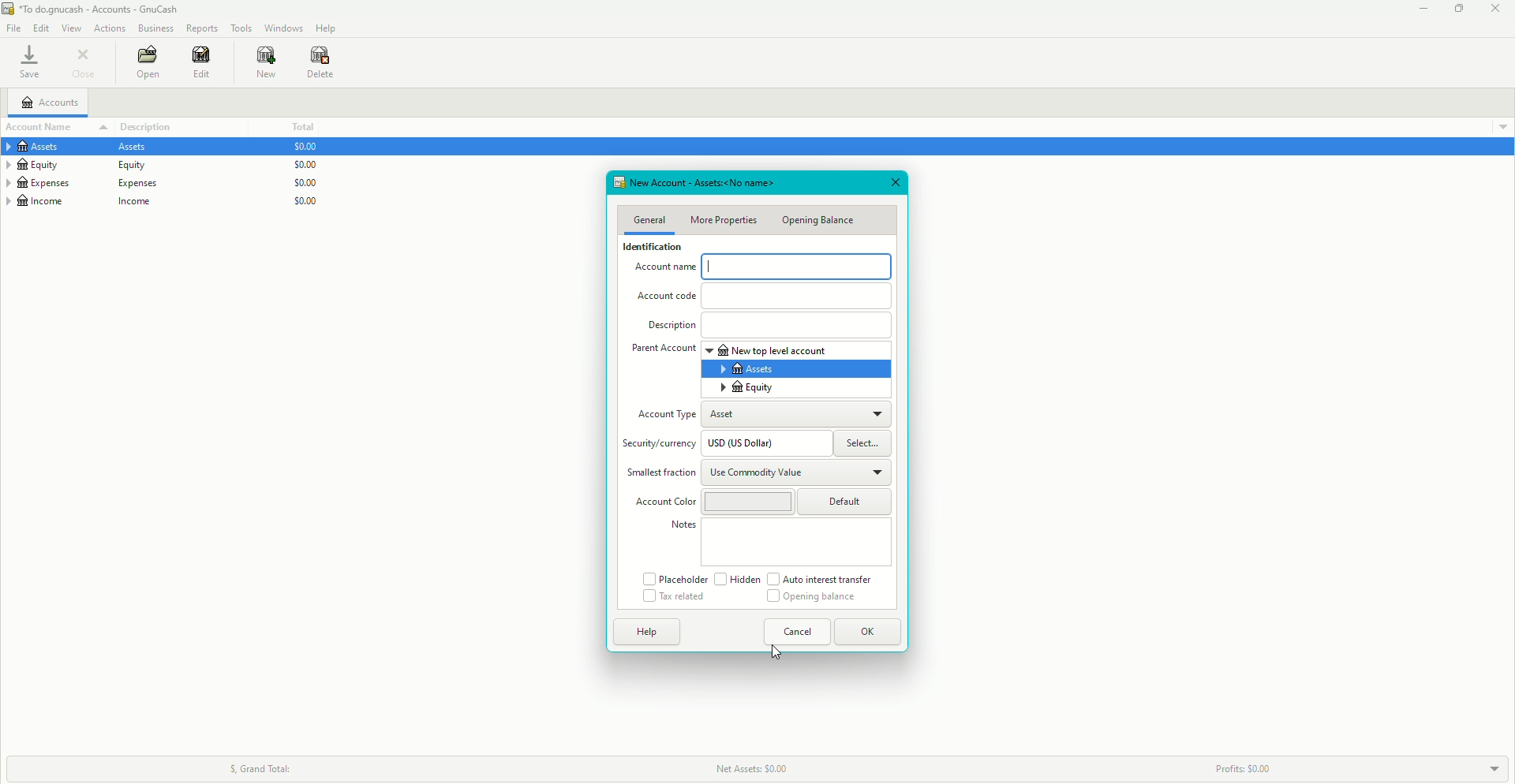 This screenshot has width=1515, height=784. I want to click on Drop down, so click(1495, 770).